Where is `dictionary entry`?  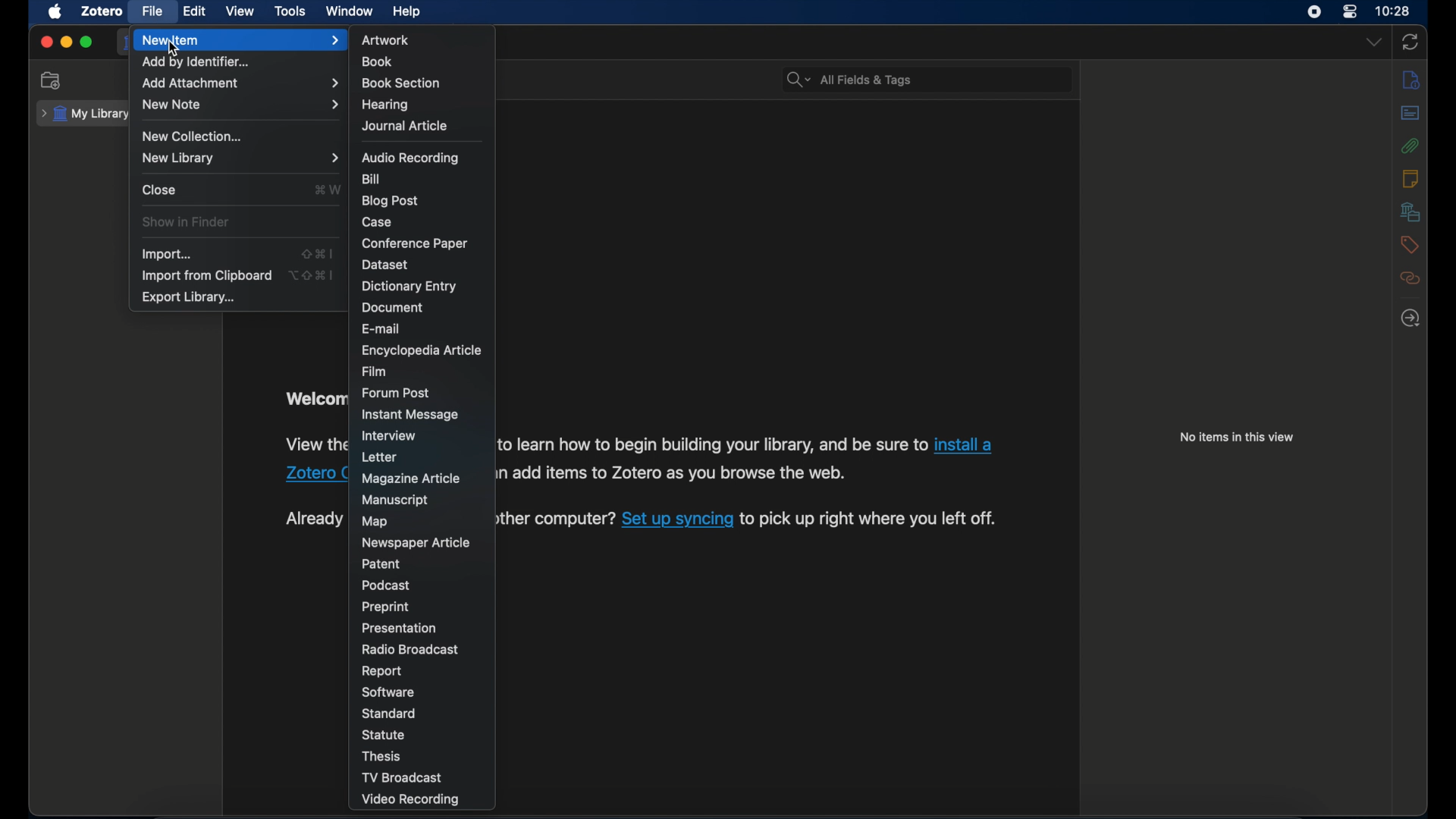
dictionary entry is located at coordinates (409, 286).